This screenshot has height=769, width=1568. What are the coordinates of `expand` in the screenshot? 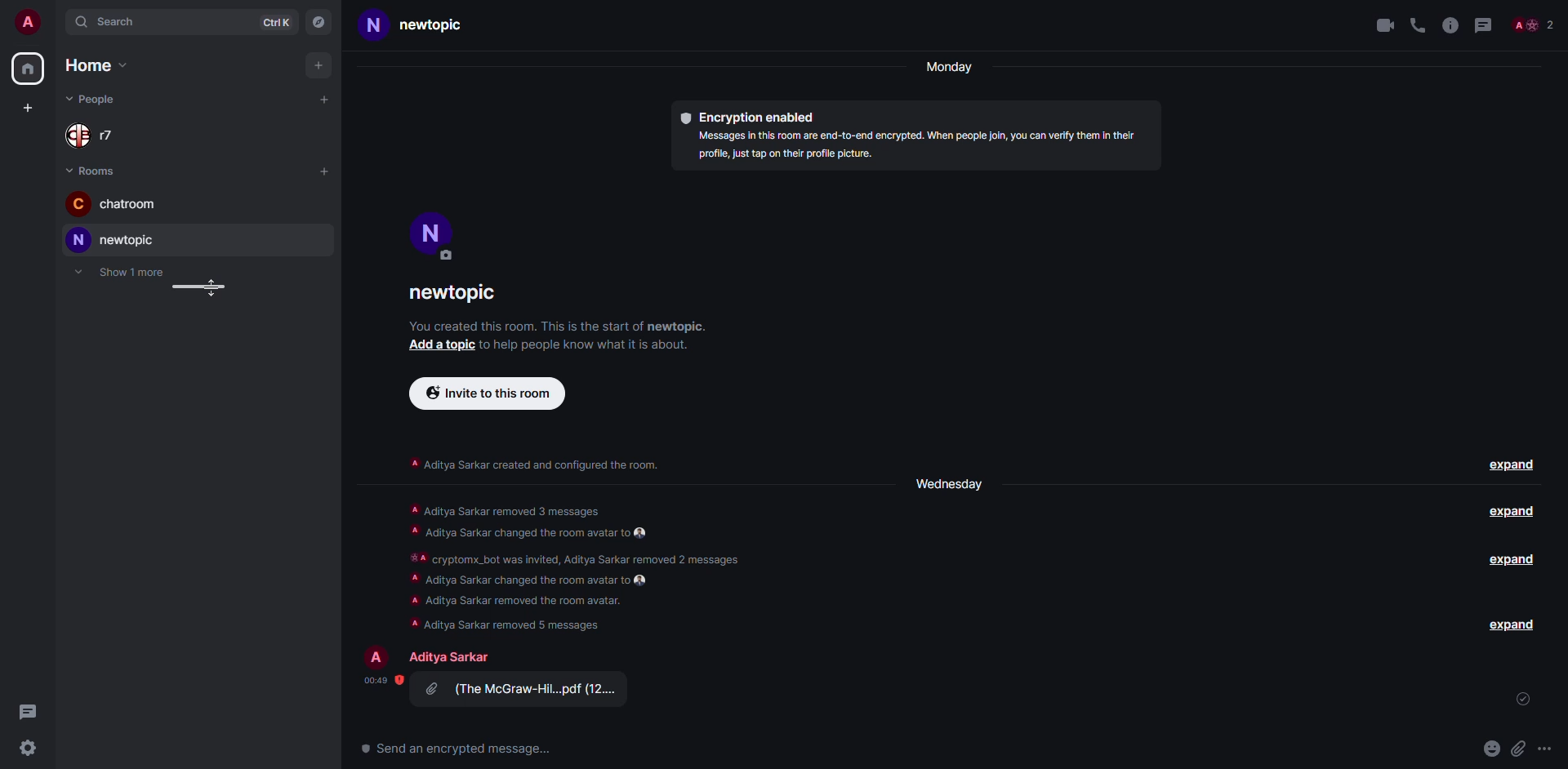 It's located at (1512, 560).